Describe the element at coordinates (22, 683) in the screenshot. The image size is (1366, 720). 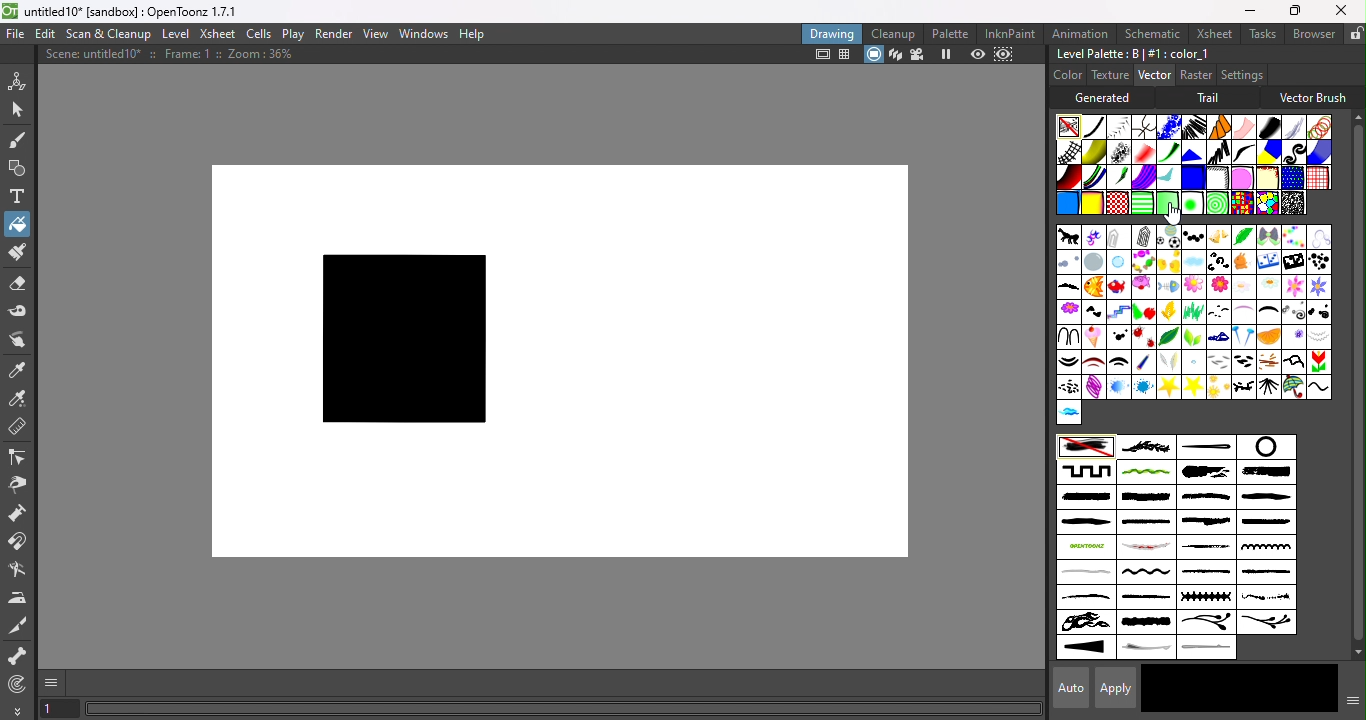
I see `Spiral tool` at that location.